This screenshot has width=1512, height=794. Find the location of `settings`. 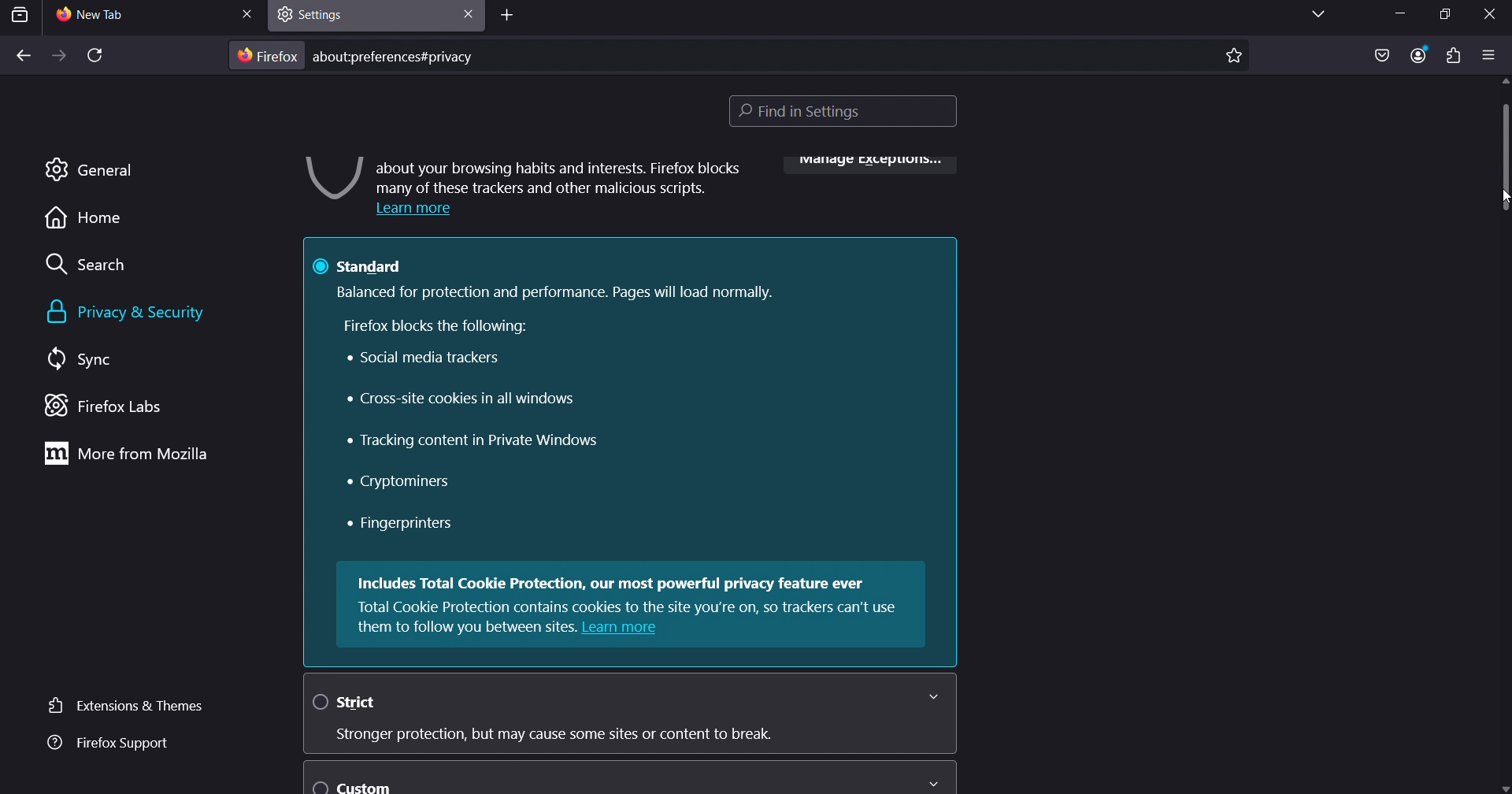

settings is located at coordinates (322, 13).